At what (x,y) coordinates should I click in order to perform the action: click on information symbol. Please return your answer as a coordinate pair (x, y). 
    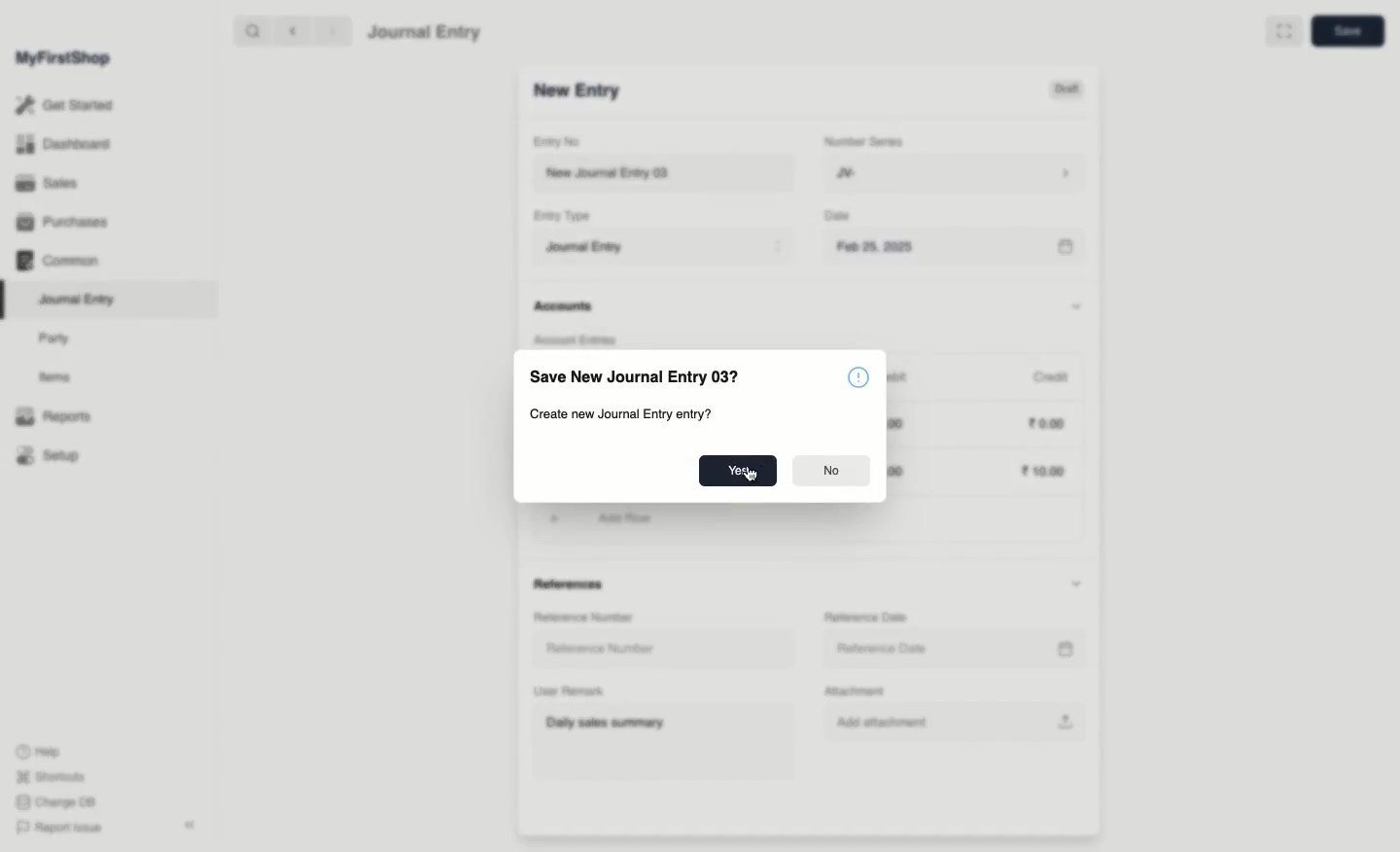
    Looking at the image, I should click on (859, 375).